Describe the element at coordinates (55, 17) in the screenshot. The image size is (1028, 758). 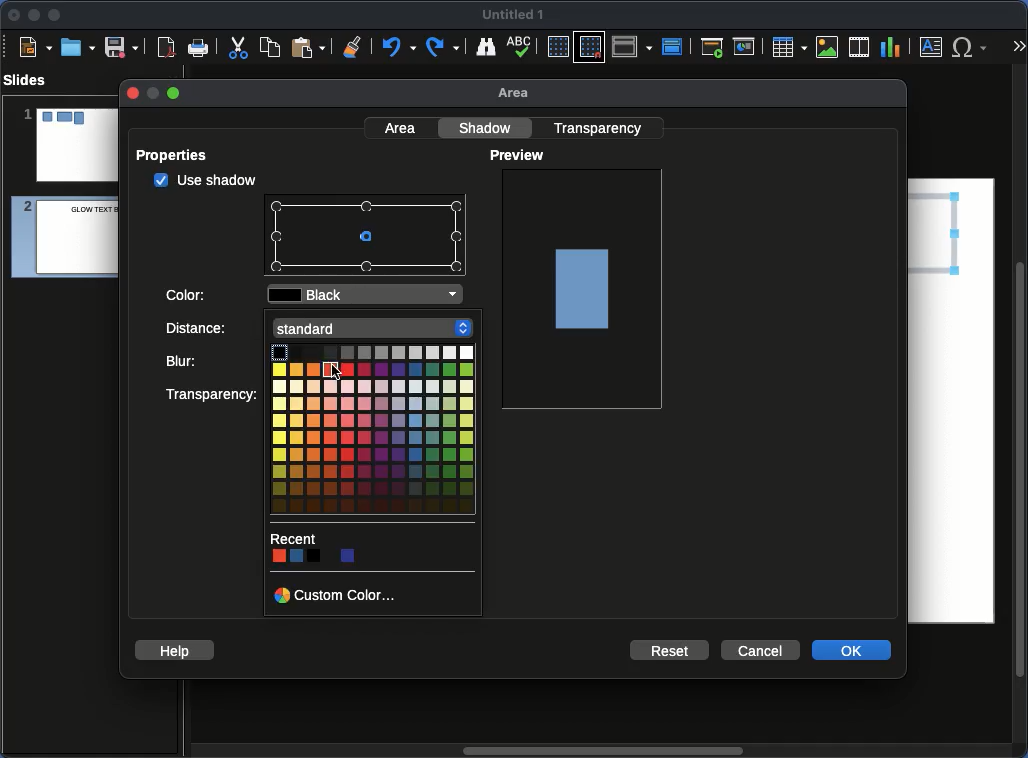
I see `Maximize` at that location.